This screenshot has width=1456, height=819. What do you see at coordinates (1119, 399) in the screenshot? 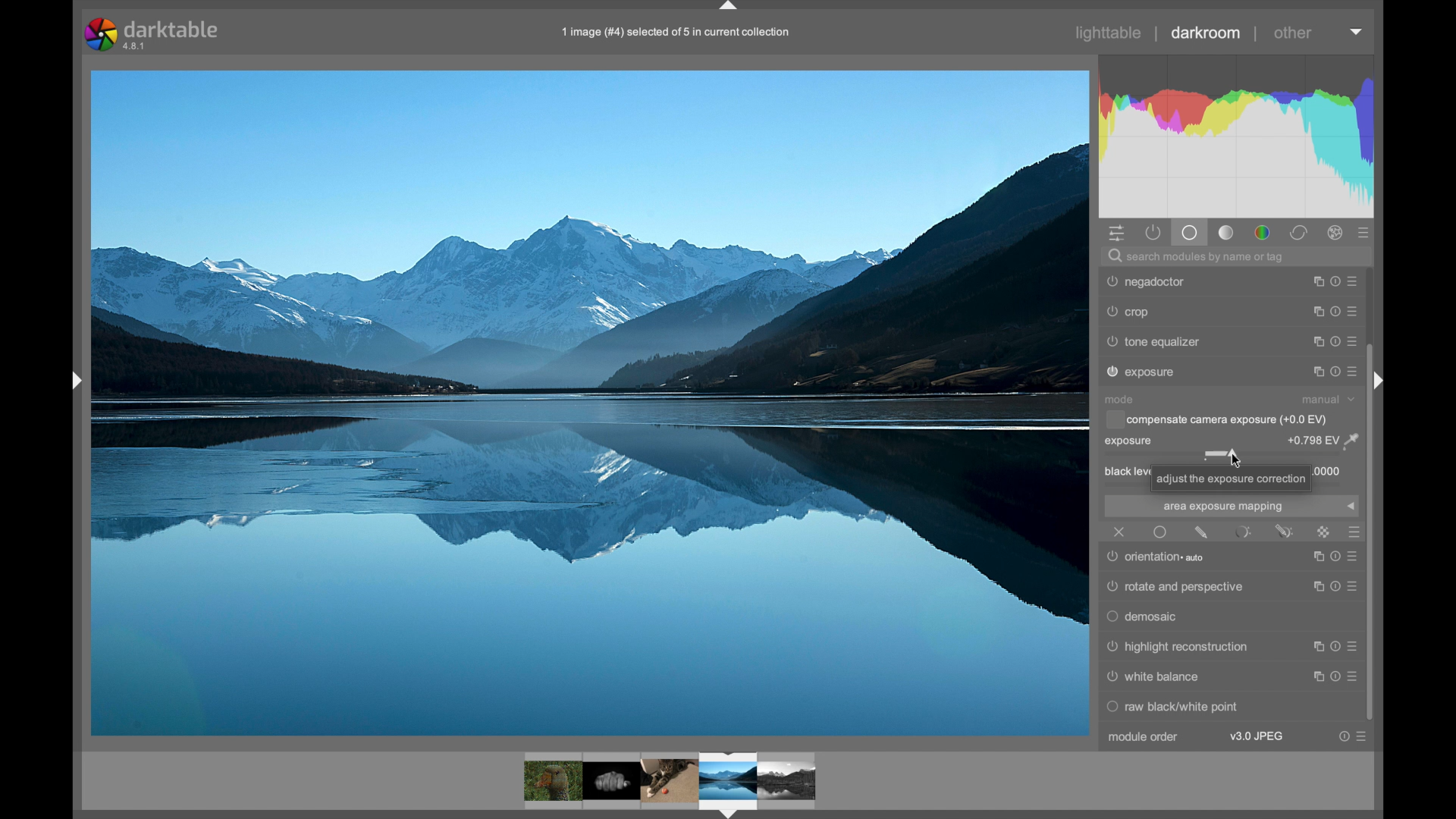
I see `mode` at bounding box center [1119, 399].